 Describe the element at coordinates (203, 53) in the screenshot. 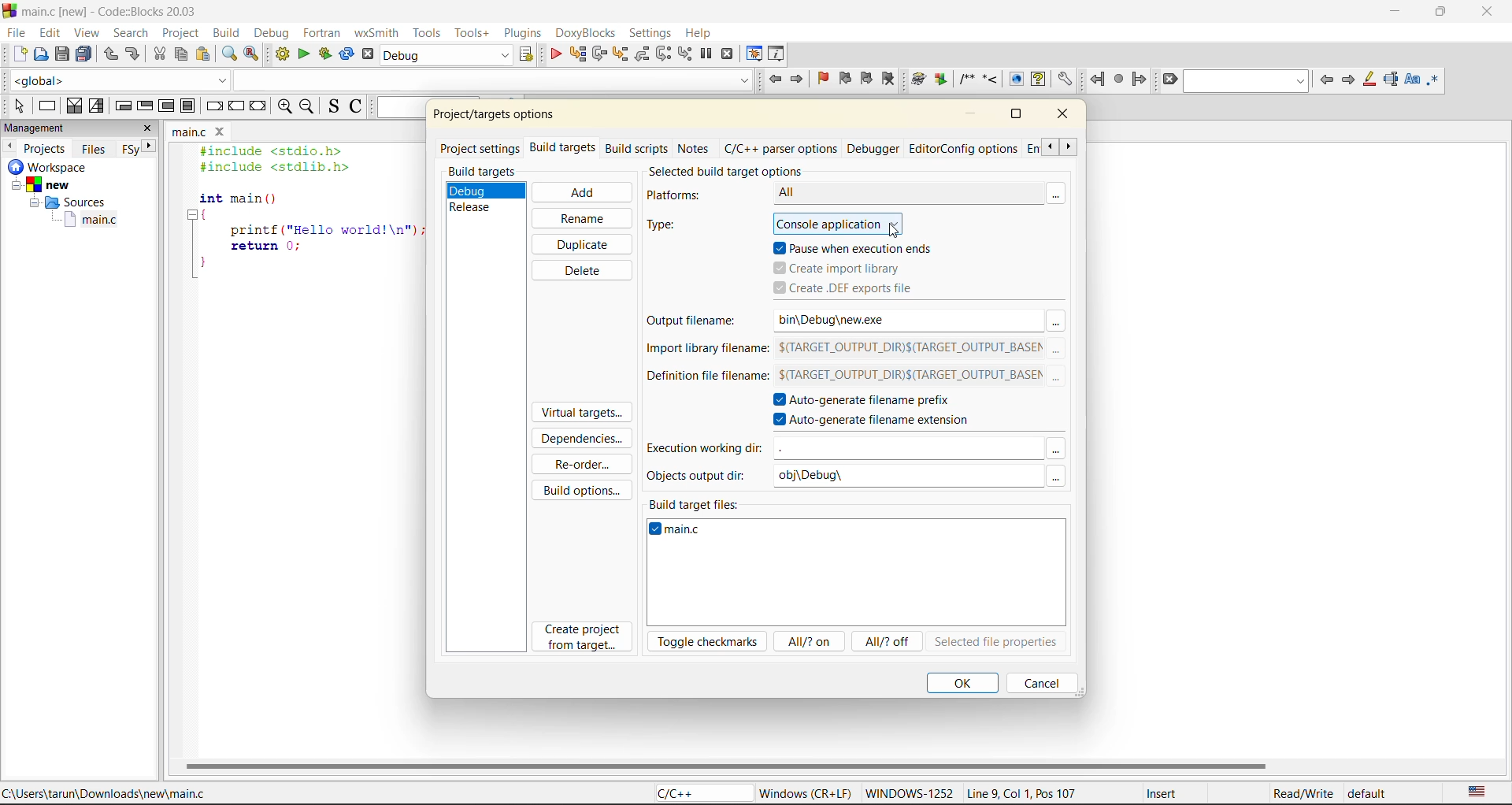

I see `paste` at that location.